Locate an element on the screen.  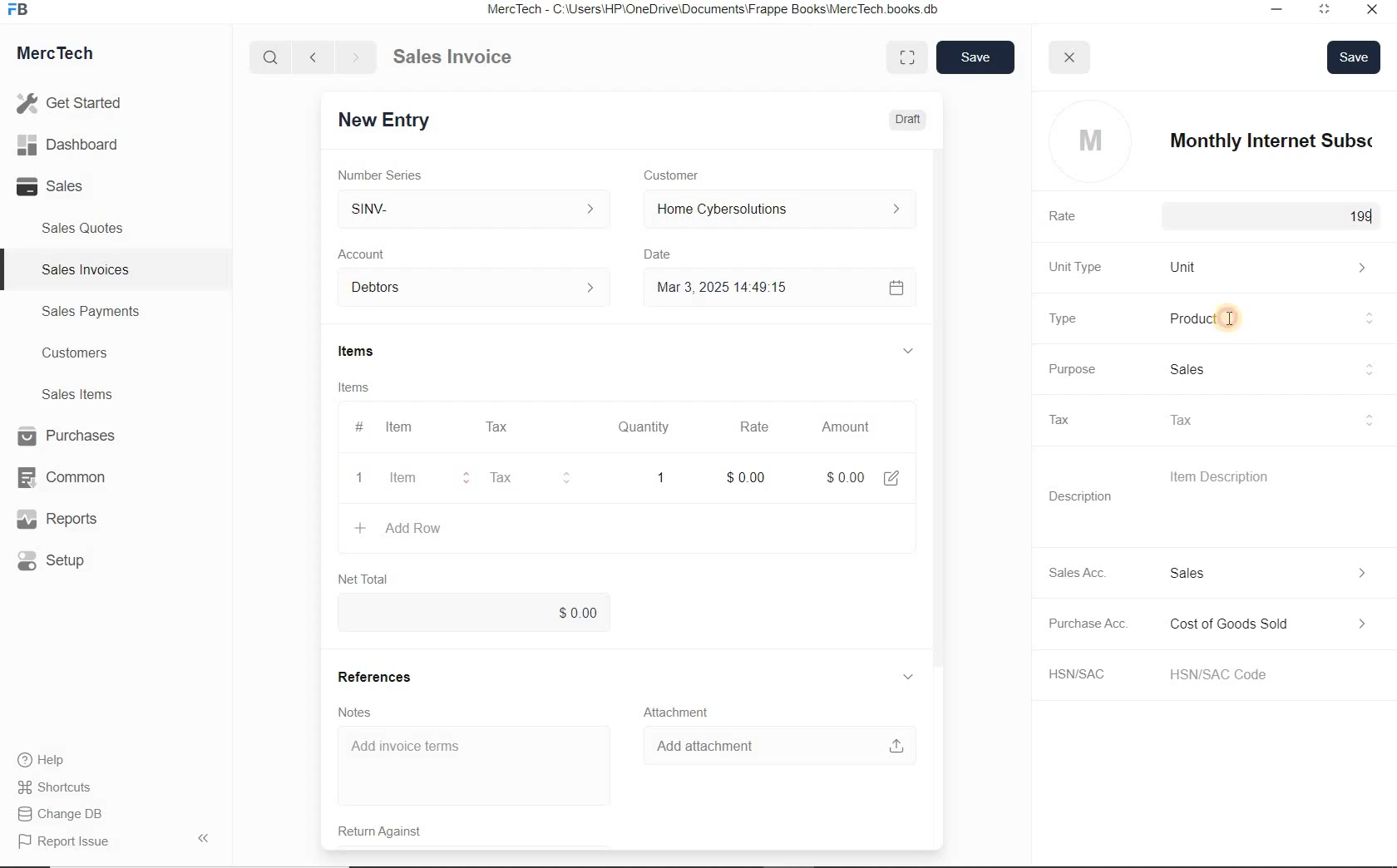
Tax is located at coordinates (518, 478).